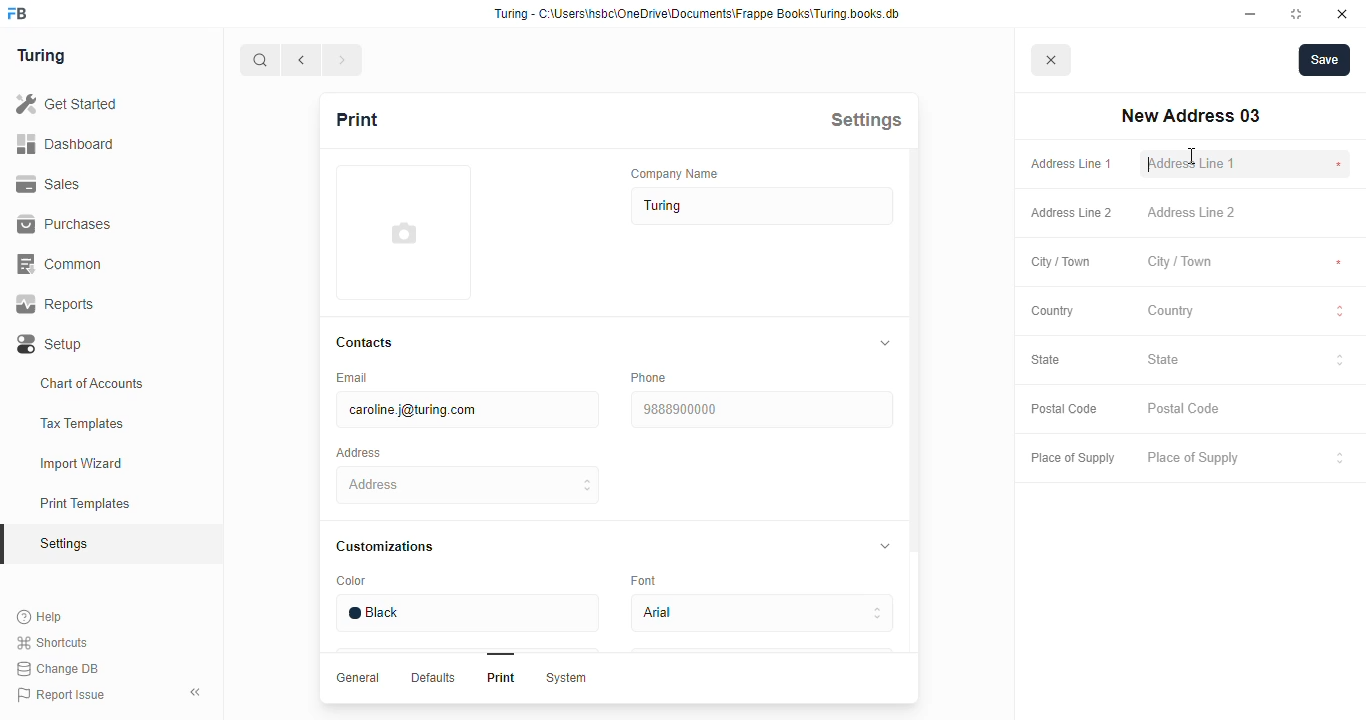 The image size is (1366, 720). I want to click on print templates, so click(85, 503).